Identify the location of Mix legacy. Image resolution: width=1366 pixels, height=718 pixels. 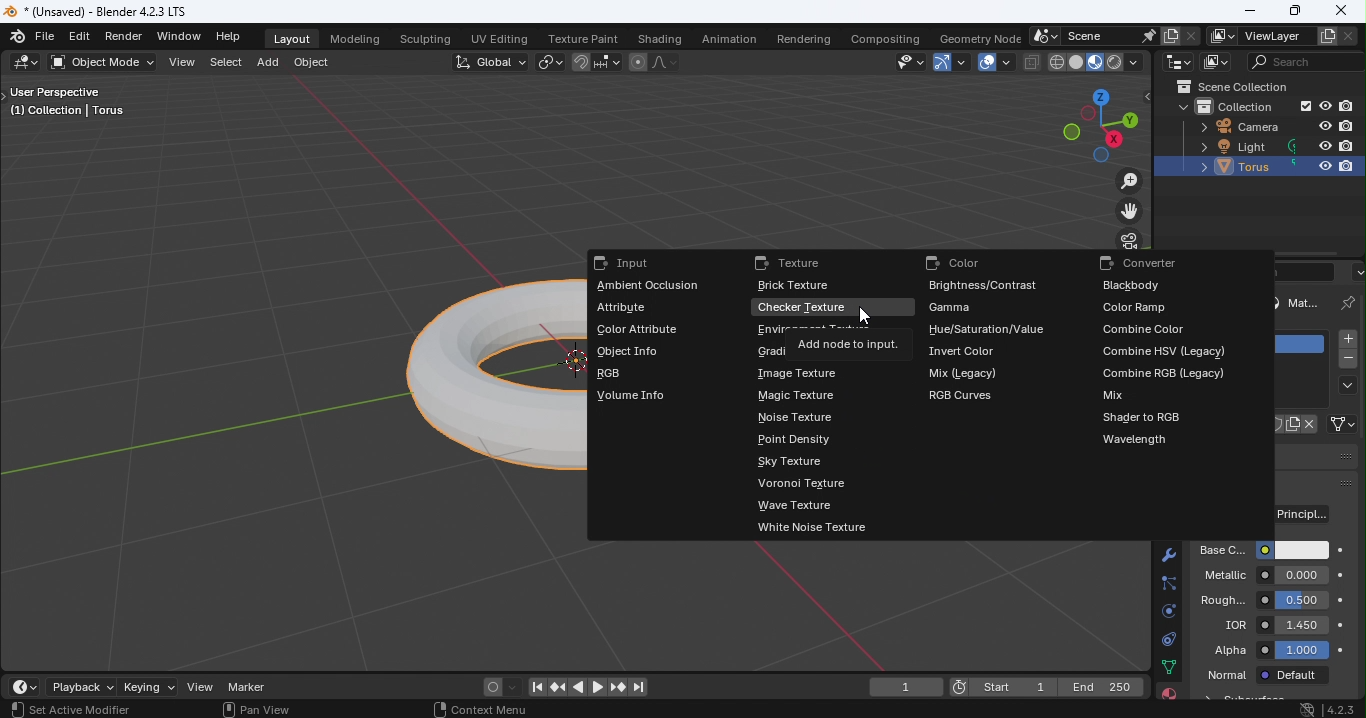
(961, 374).